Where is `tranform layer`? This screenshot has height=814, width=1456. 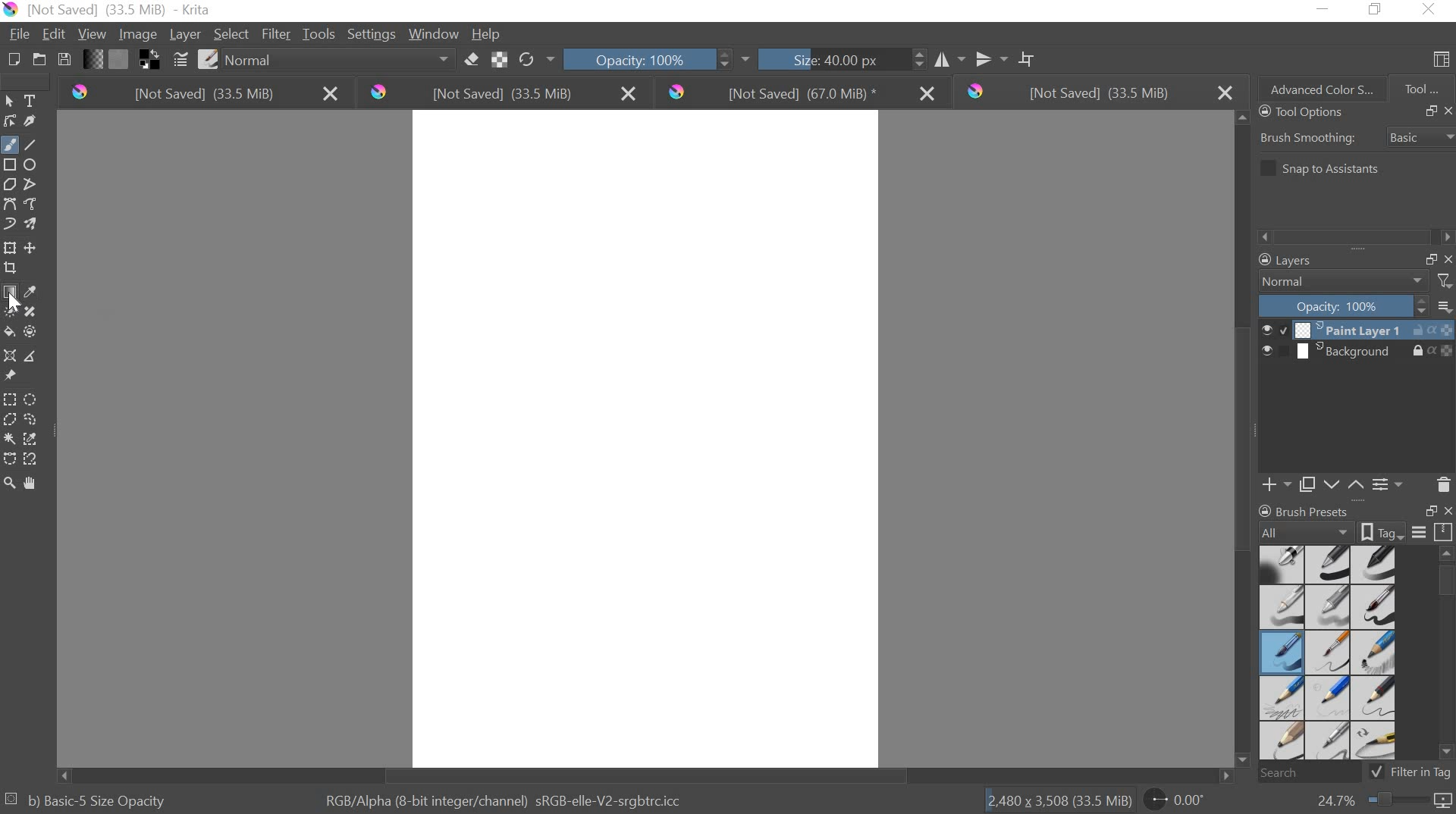
tranform layer is located at coordinates (11, 249).